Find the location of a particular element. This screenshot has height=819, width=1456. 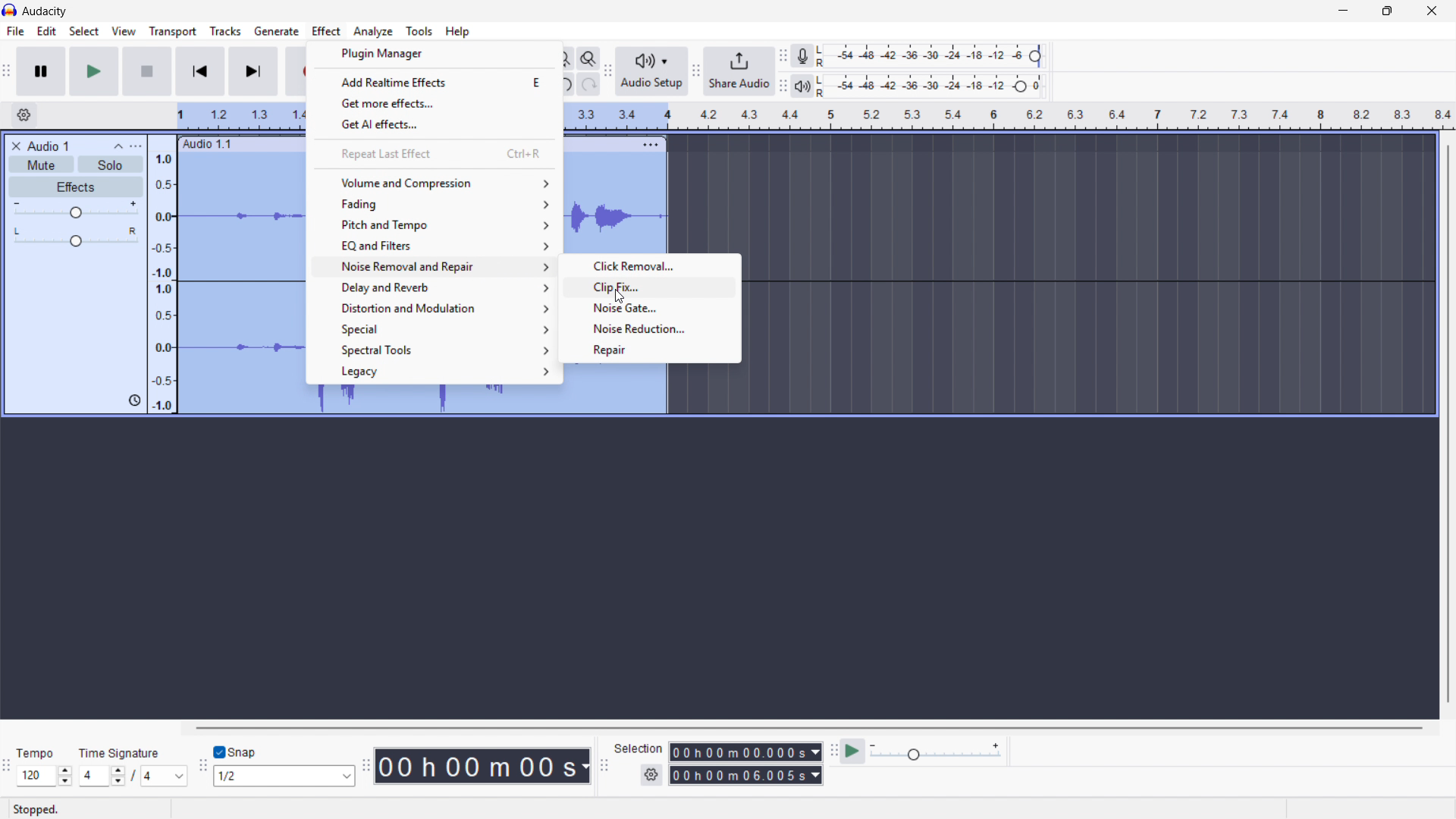

Add real time effects  is located at coordinates (435, 81).